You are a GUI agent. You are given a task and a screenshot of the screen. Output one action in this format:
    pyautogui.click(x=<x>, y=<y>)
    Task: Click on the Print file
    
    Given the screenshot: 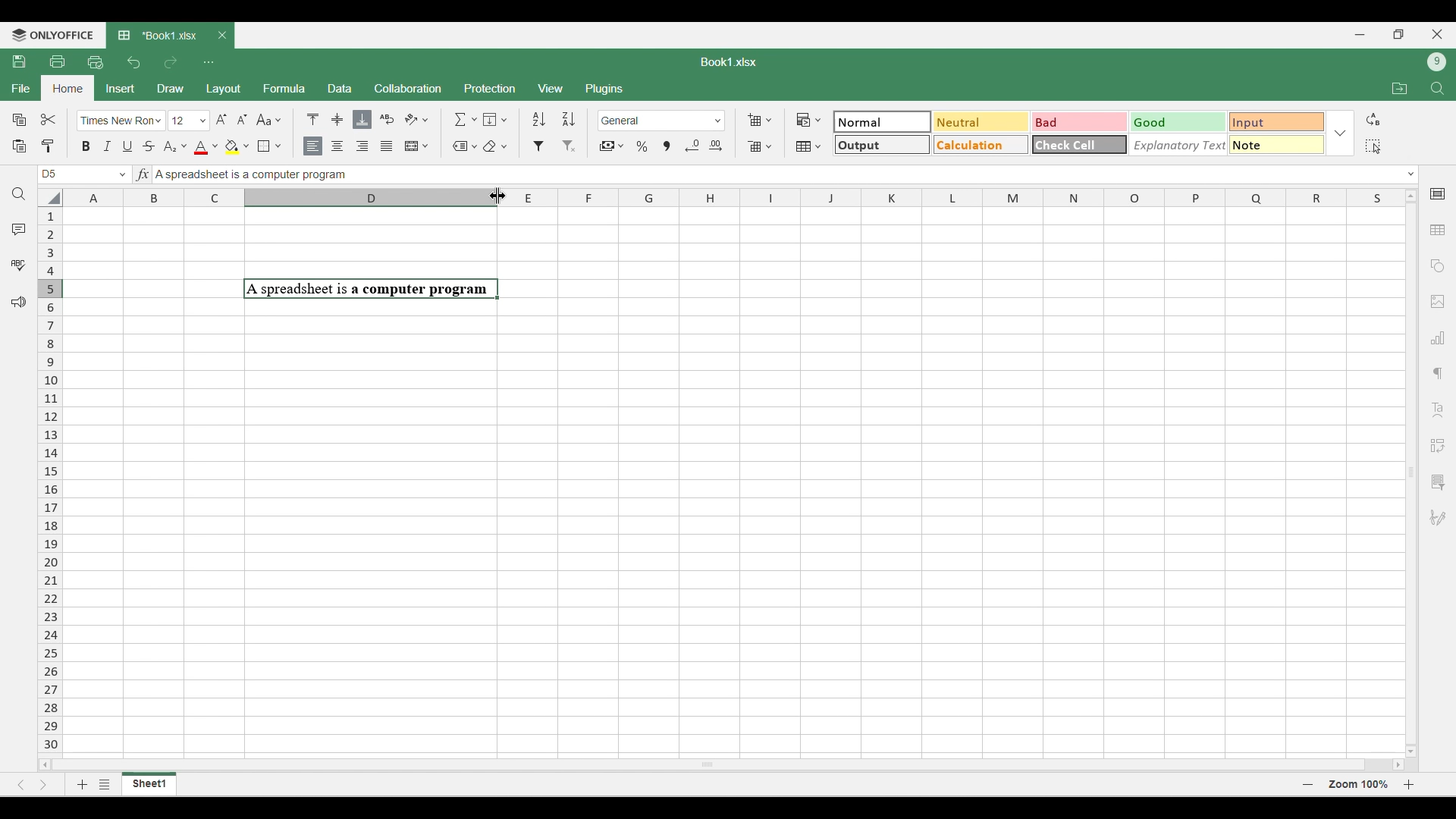 What is the action you would take?
    pyautogui.click(x=57, y=61)
    